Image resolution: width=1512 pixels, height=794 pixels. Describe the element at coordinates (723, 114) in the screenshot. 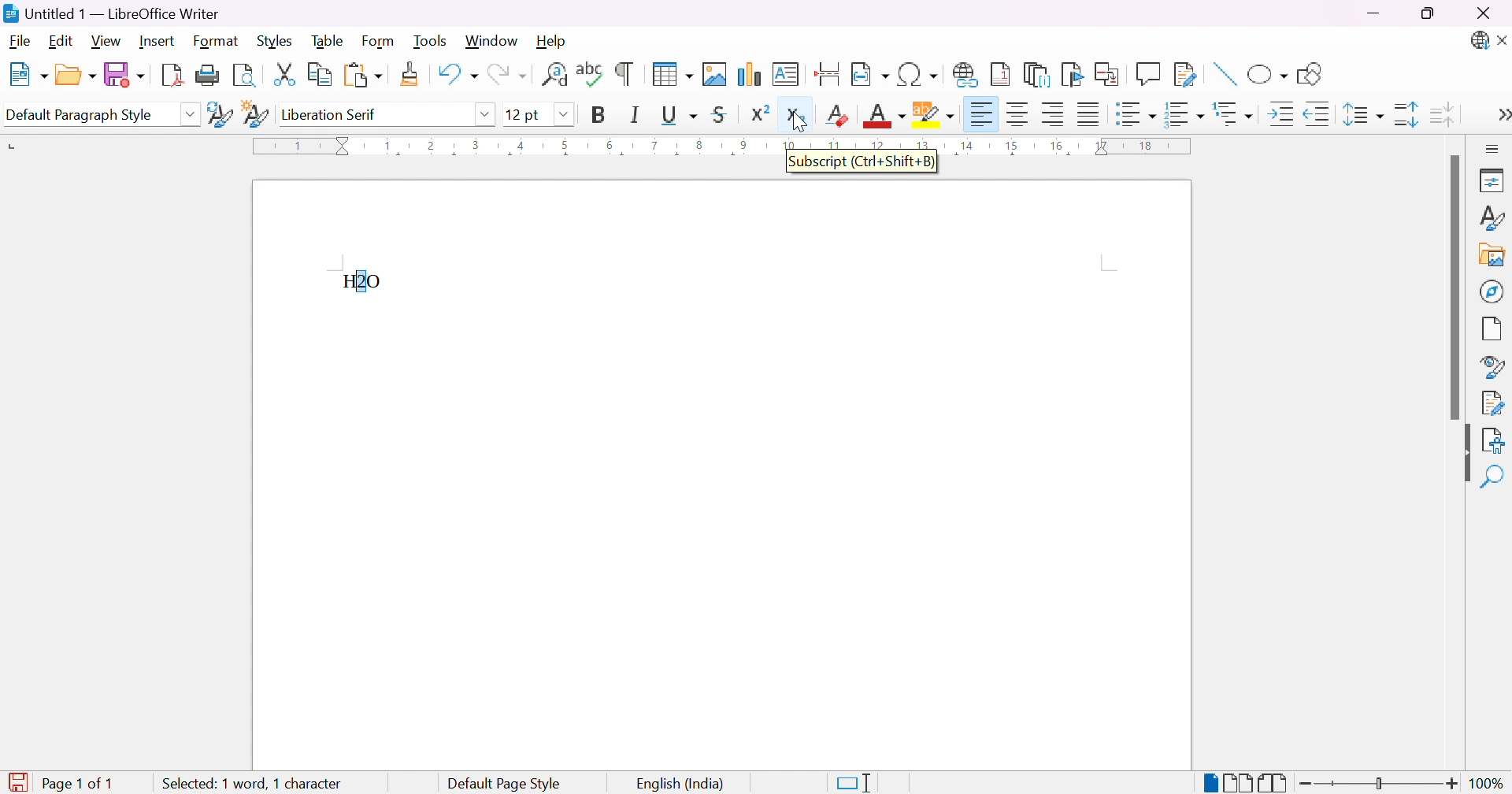

I see `Strikethrough` at that location.